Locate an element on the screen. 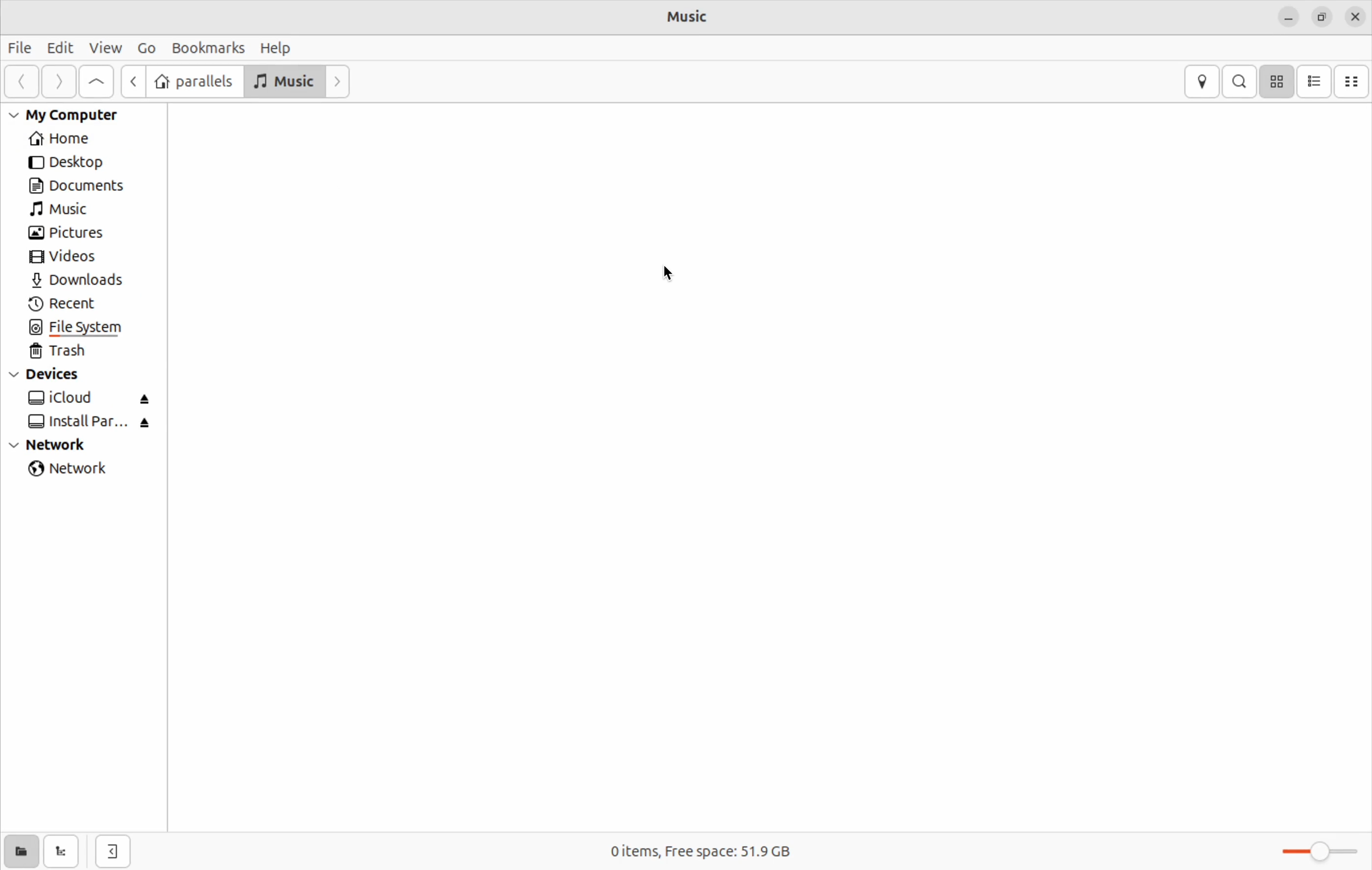 The width and height of the screenshot is (1372, 870). home is located at coordinates (76, 139).